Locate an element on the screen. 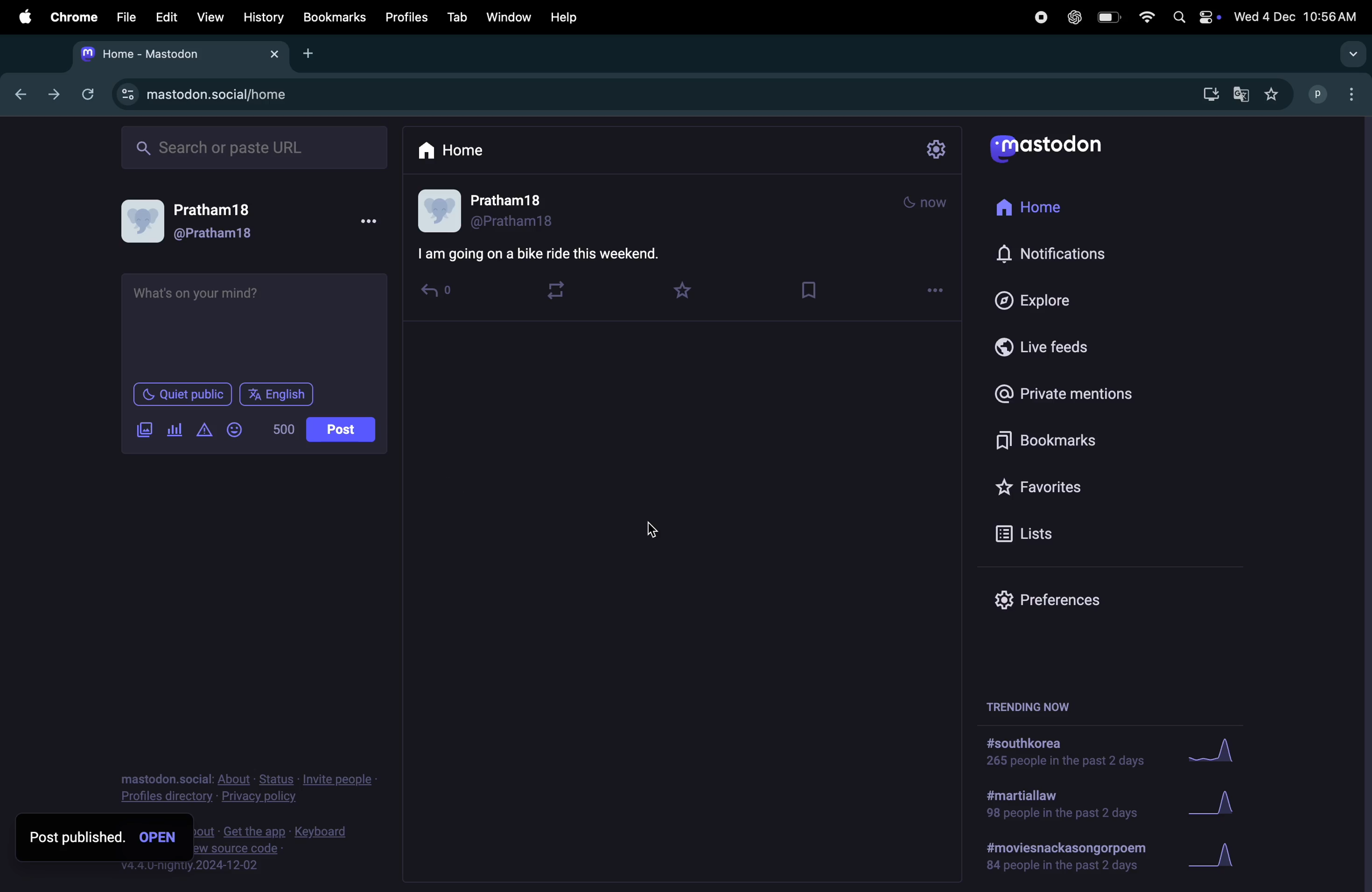 This screenshot has height=892, width=1372. Home is located at coordinates (451, 149).